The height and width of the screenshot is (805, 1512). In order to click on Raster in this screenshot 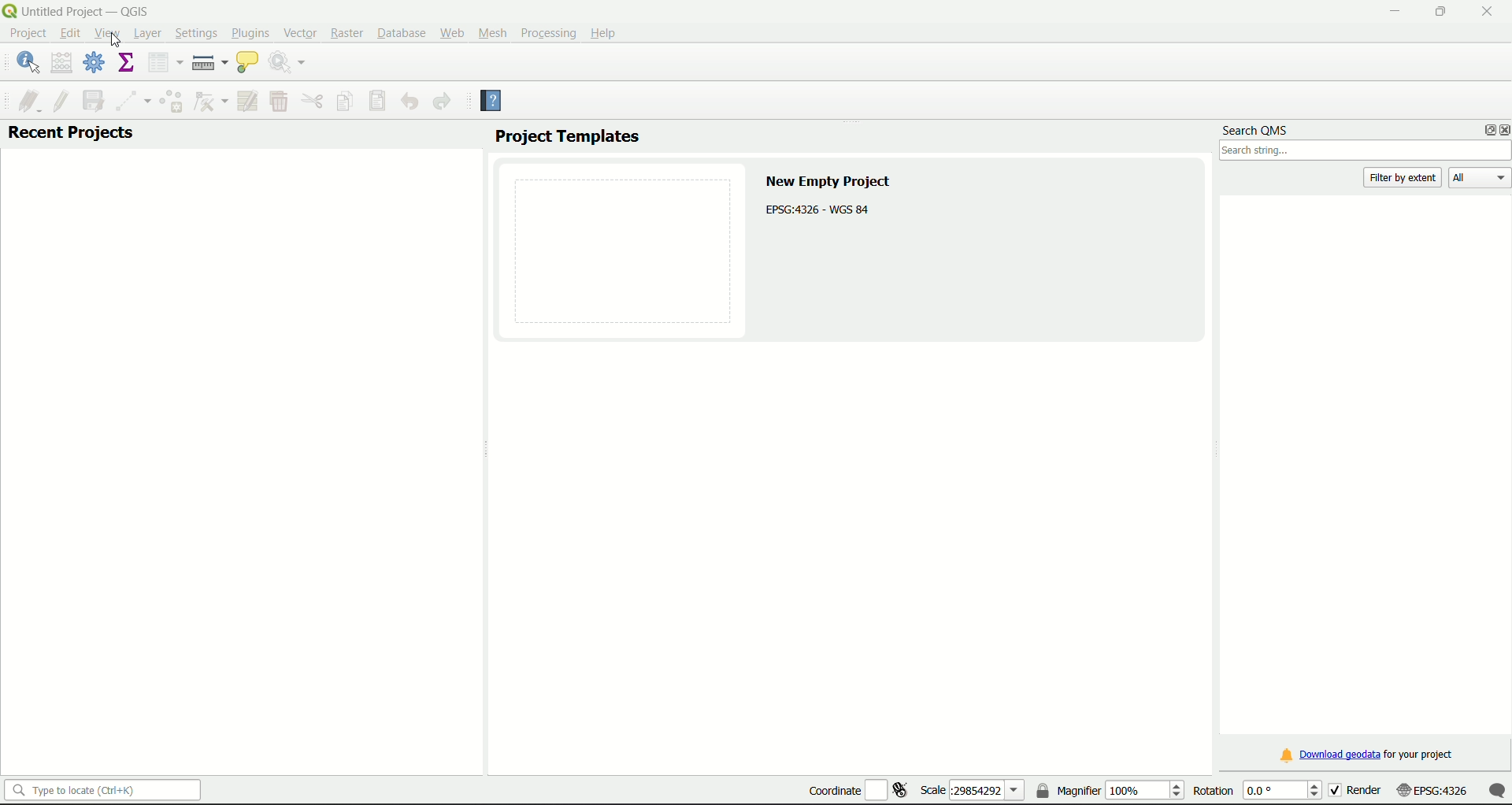, I will do `click(348, 34)`.